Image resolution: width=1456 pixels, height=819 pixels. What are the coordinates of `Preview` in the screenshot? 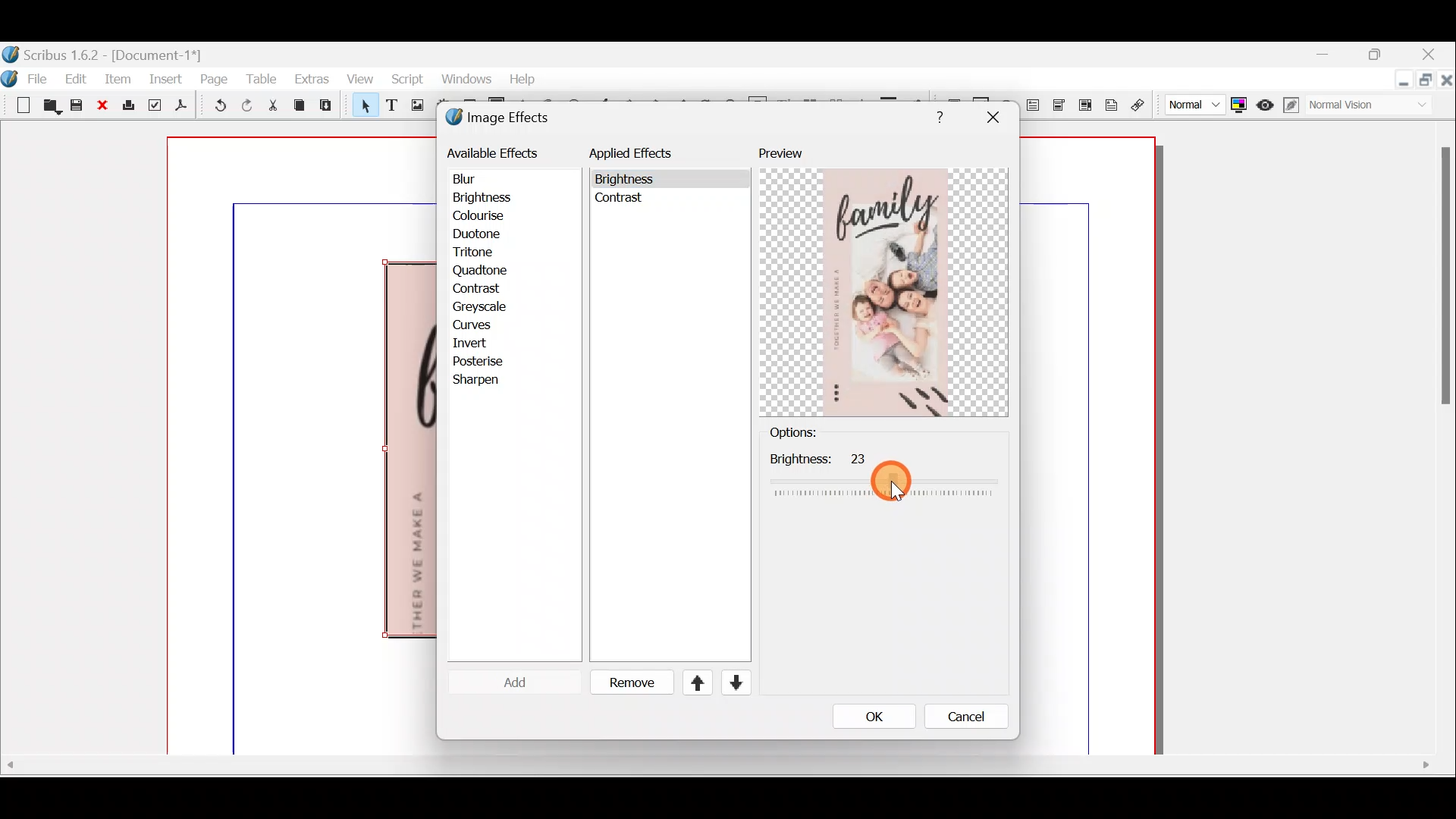 It's located at (883, 281).